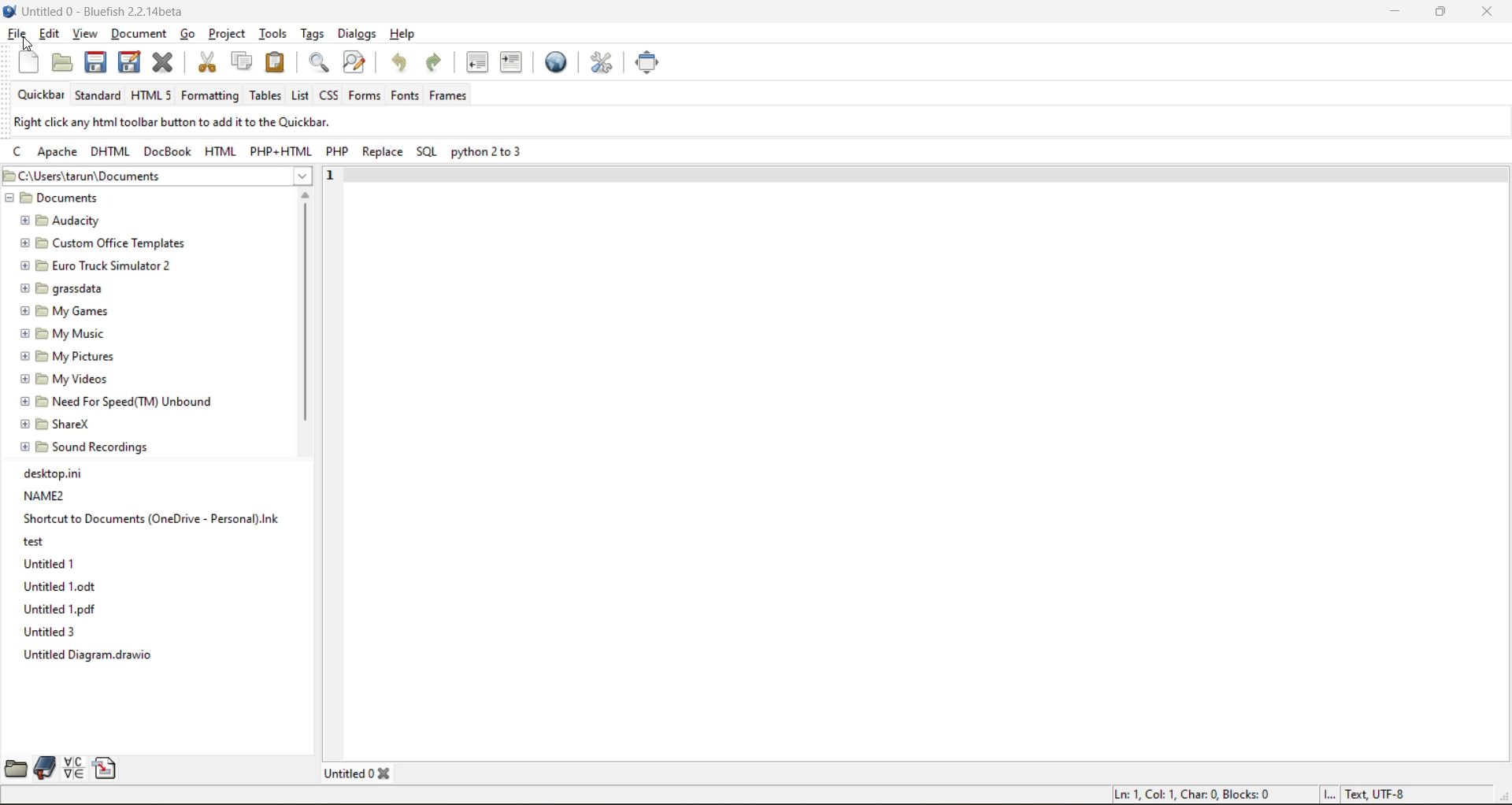 The width and height of the screenshot is (1512, 805). I want to click on Untitled 1, so click(51, 563).